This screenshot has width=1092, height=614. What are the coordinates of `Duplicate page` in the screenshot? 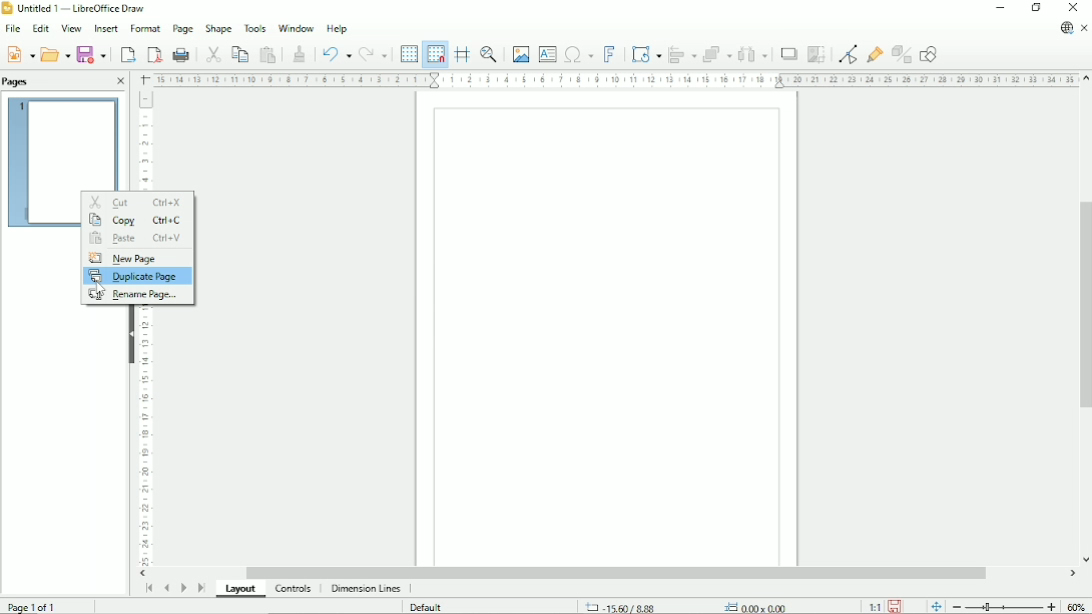 It's located at (137, 276).